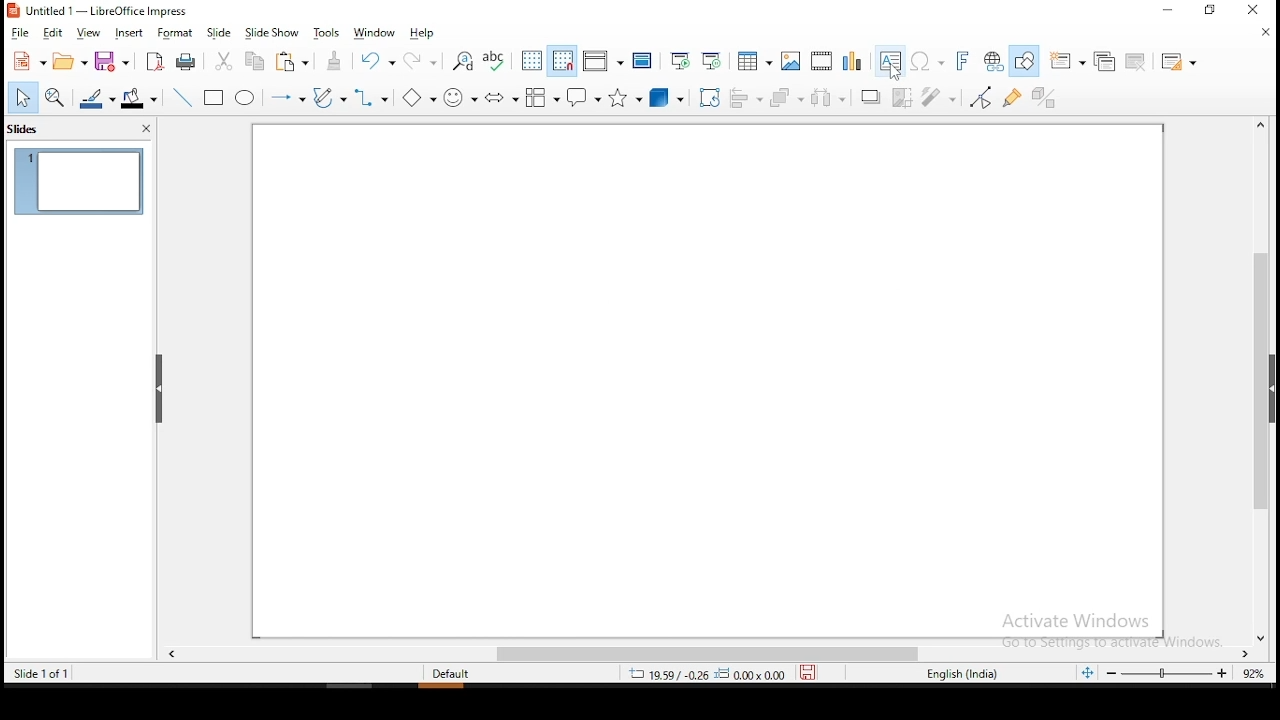 The width and height of the screenshot is (1280, 720). Describe the element at coordinates (131, 31) in the screenshot. I see `insert` at that location.